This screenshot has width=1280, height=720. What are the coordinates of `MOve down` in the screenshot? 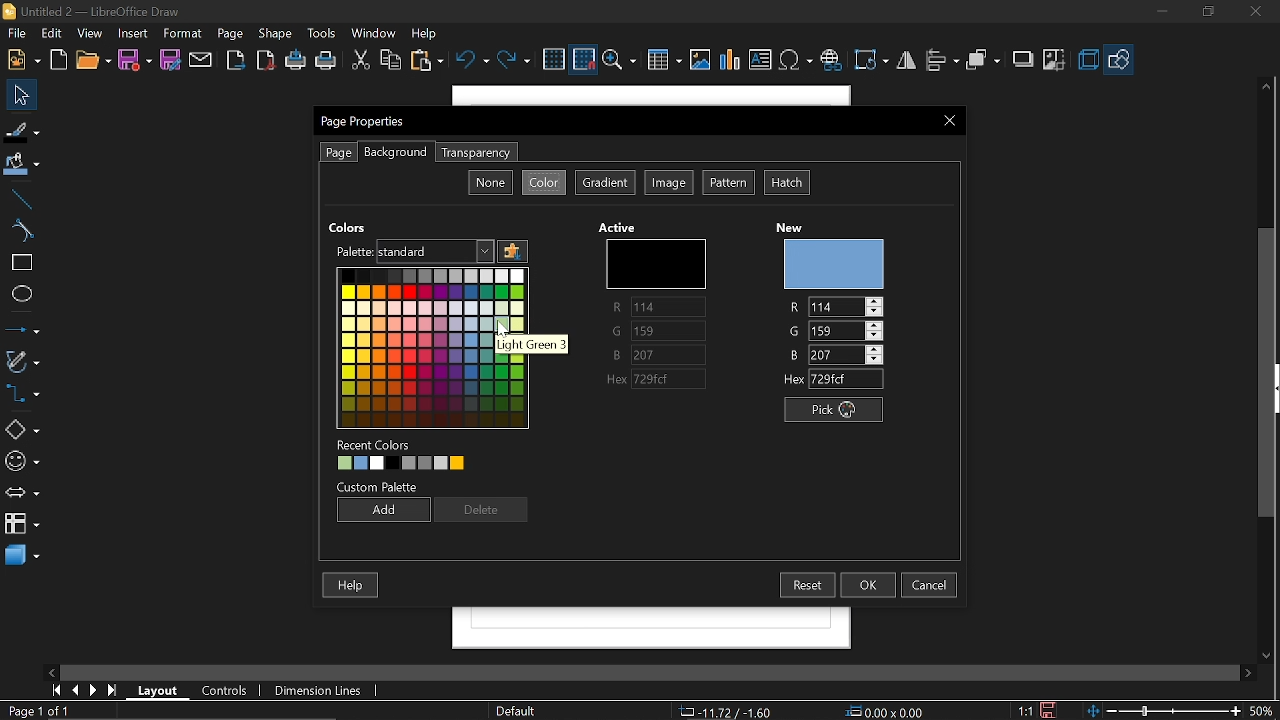 It's located at (1264, 654).